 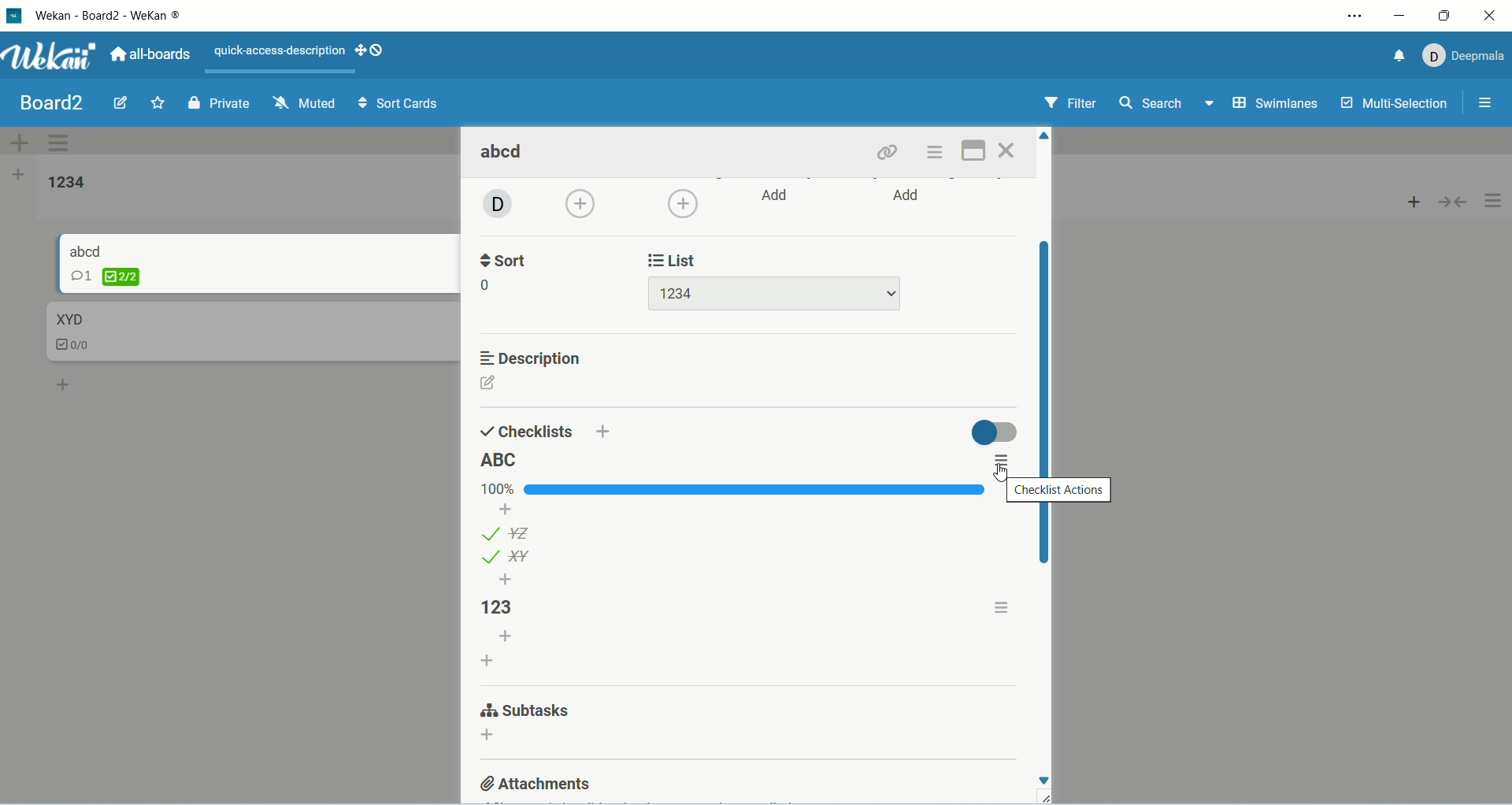 I want to click on collapse, so click(x=1456, y=204).